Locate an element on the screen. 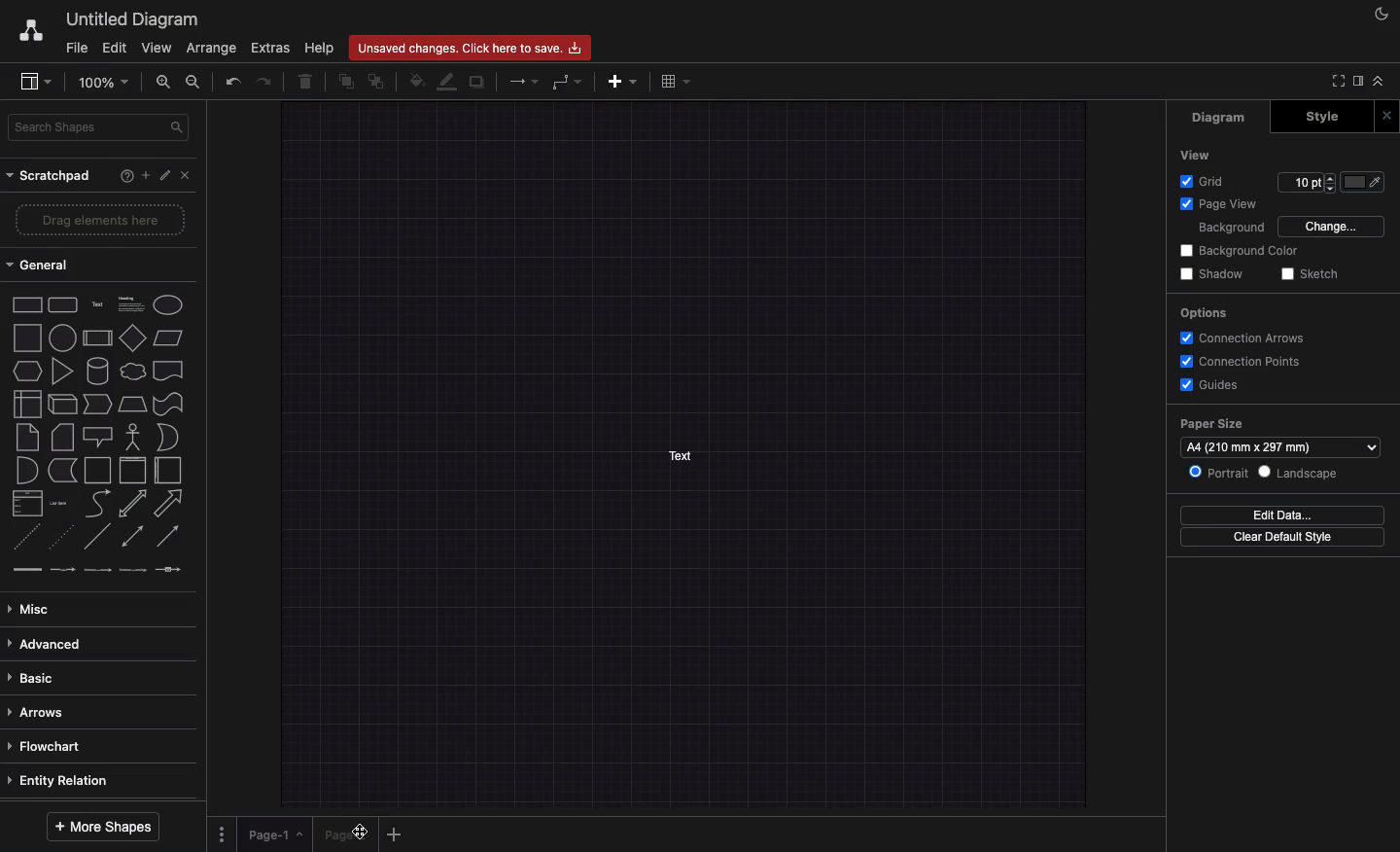 Image resolution: width=1400 pixels, height=852 pixels. Shadow is located at coordinates (1213, 274).